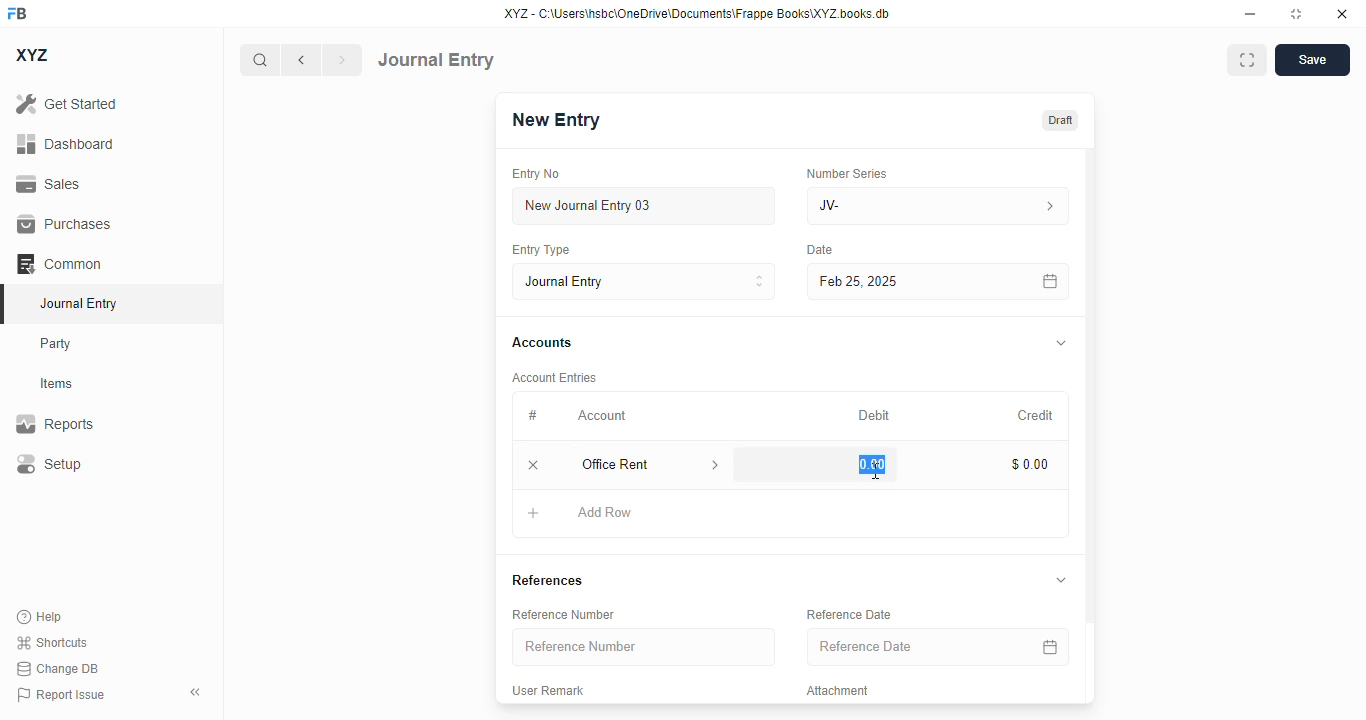 The image size is (1366, 720). Describe the element at coordinates (876, 471) in the screenshot. I see `cursor` at that location.